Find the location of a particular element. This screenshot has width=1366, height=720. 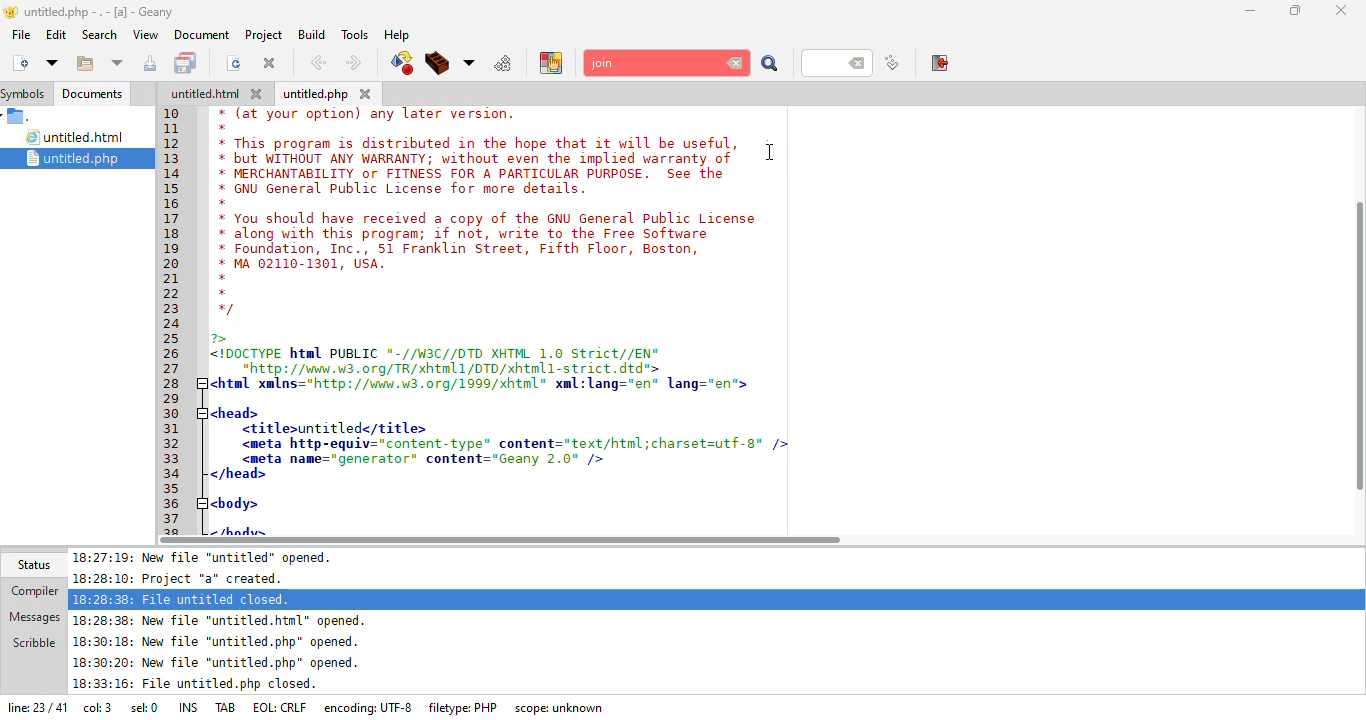

30 is located at coordinates (176, 414).